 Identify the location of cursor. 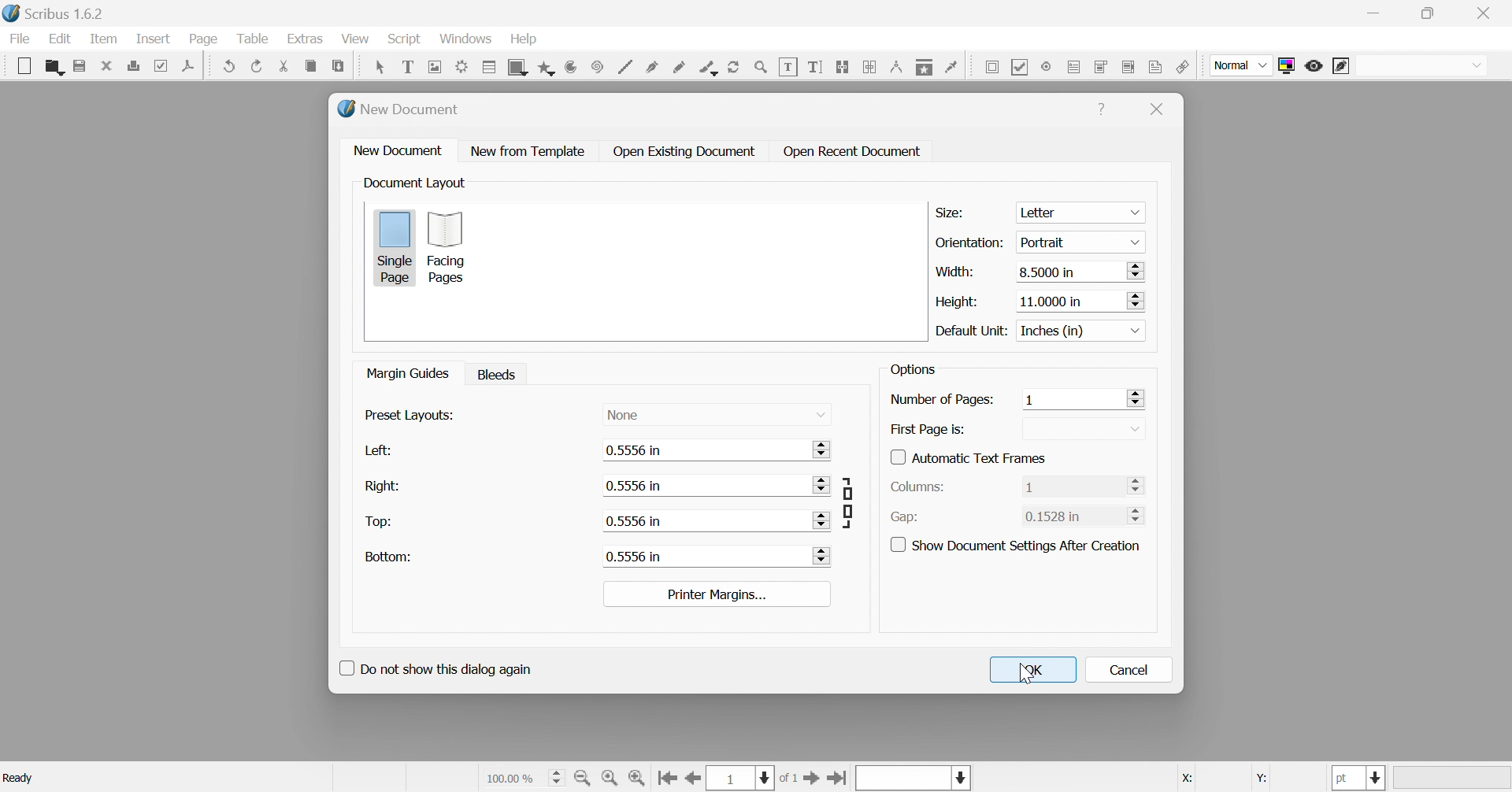
(1028, 673).